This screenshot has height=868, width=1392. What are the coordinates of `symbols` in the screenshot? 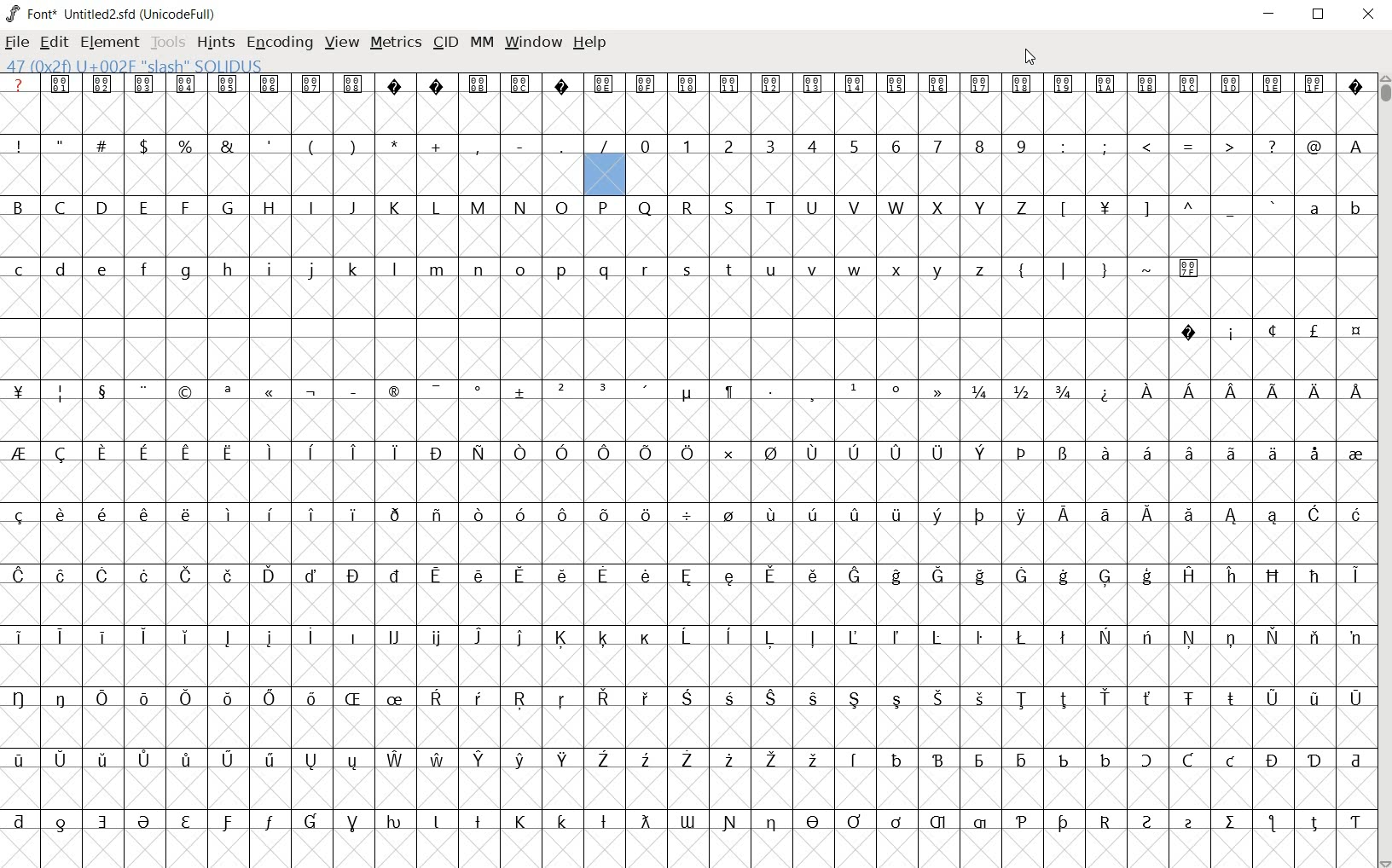 It's located at (1163, 208).